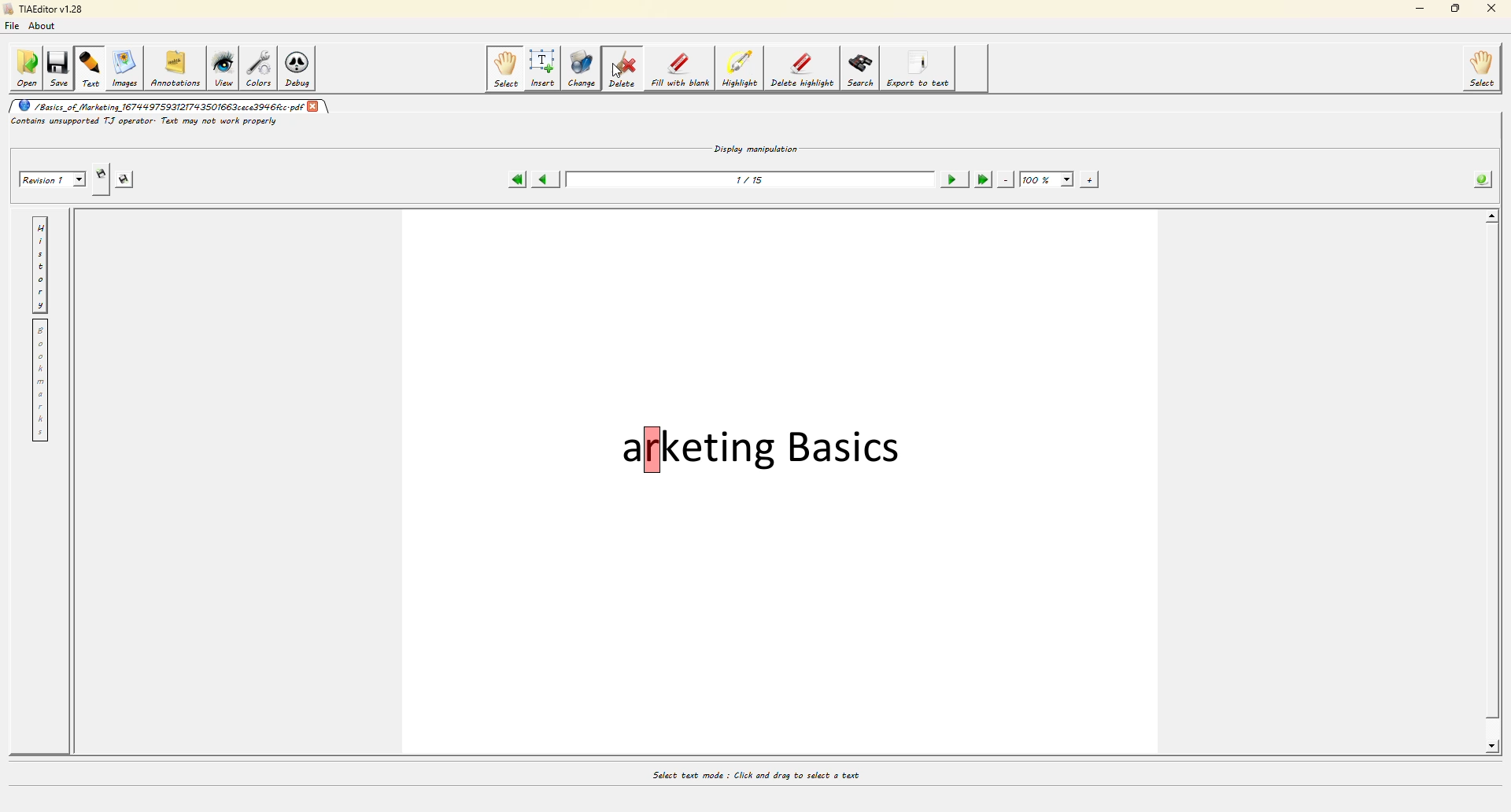 This screenshot has width=1511, height=812. Describe the element at coordinates (1487, 10) in the screenshot. I see `close` at that location.